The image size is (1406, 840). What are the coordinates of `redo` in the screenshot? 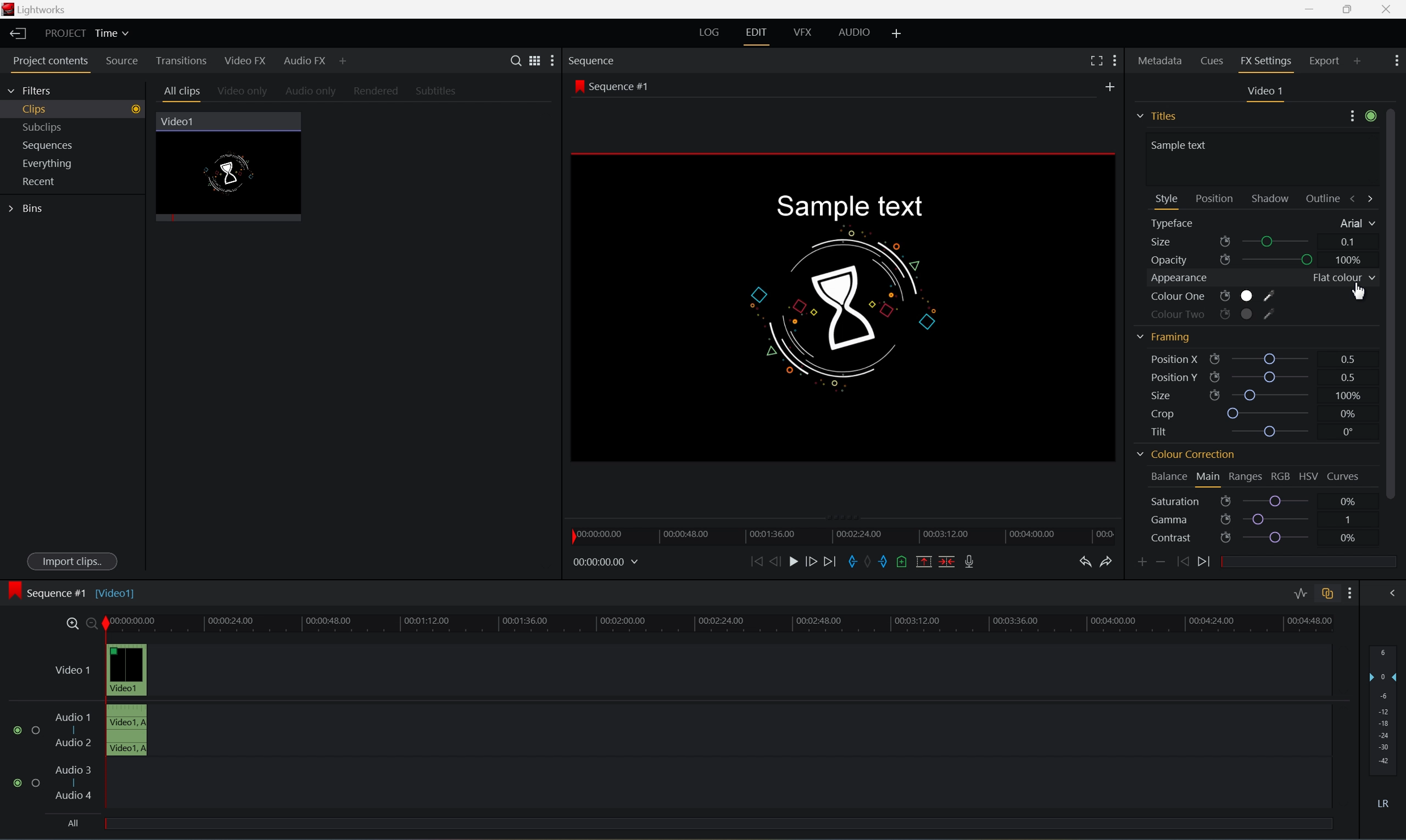 It's located at (1109, 562).